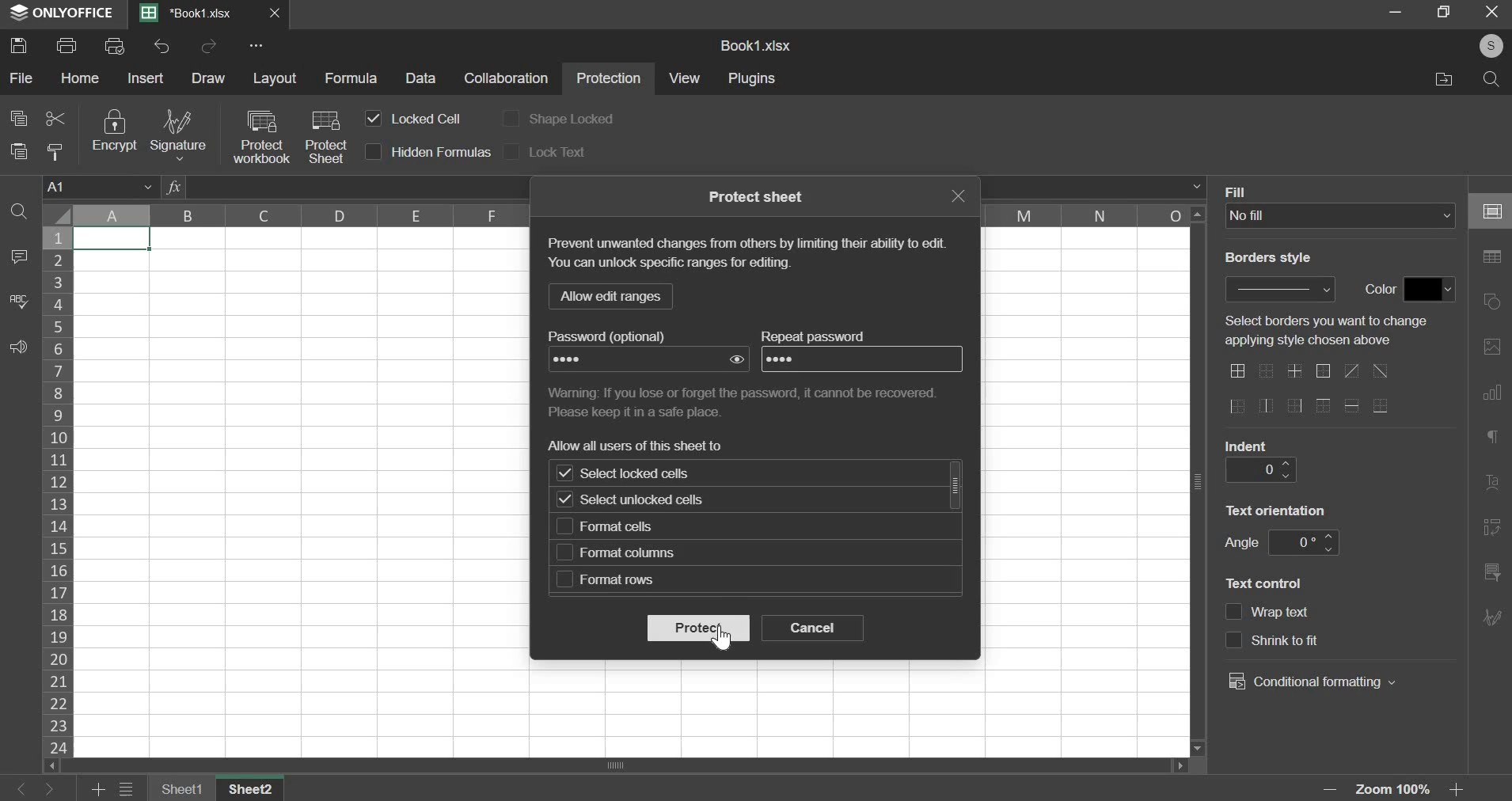 The width and height of the screenshot is (1512, 801). What do you see at coordinates (738, 359) in the screenshot?
I see `show password` at bounding box center [738, 359].